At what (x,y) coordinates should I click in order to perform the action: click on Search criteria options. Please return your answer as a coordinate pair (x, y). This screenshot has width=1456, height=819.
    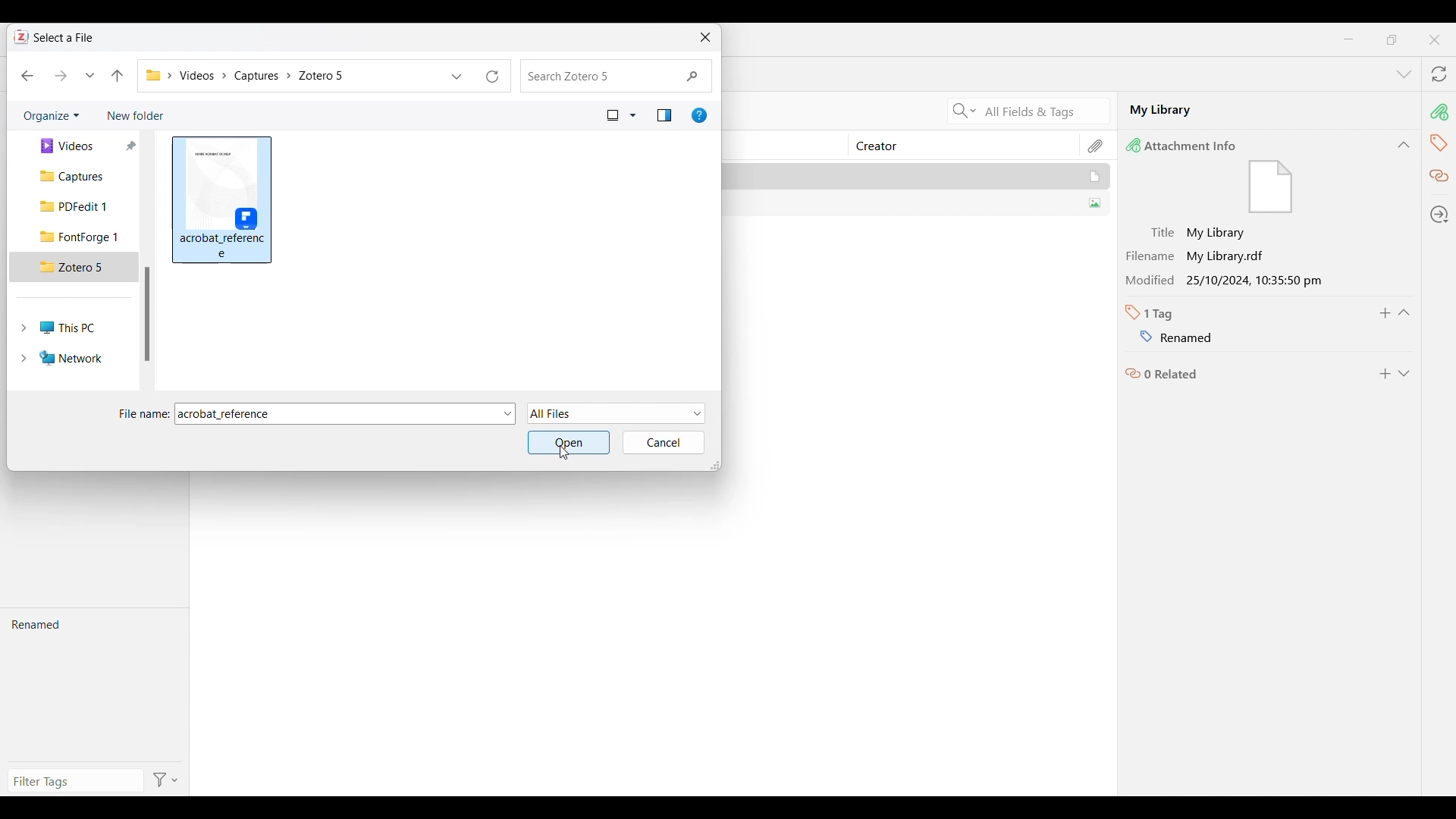
    Looking at the image, I should click on (962, 110).